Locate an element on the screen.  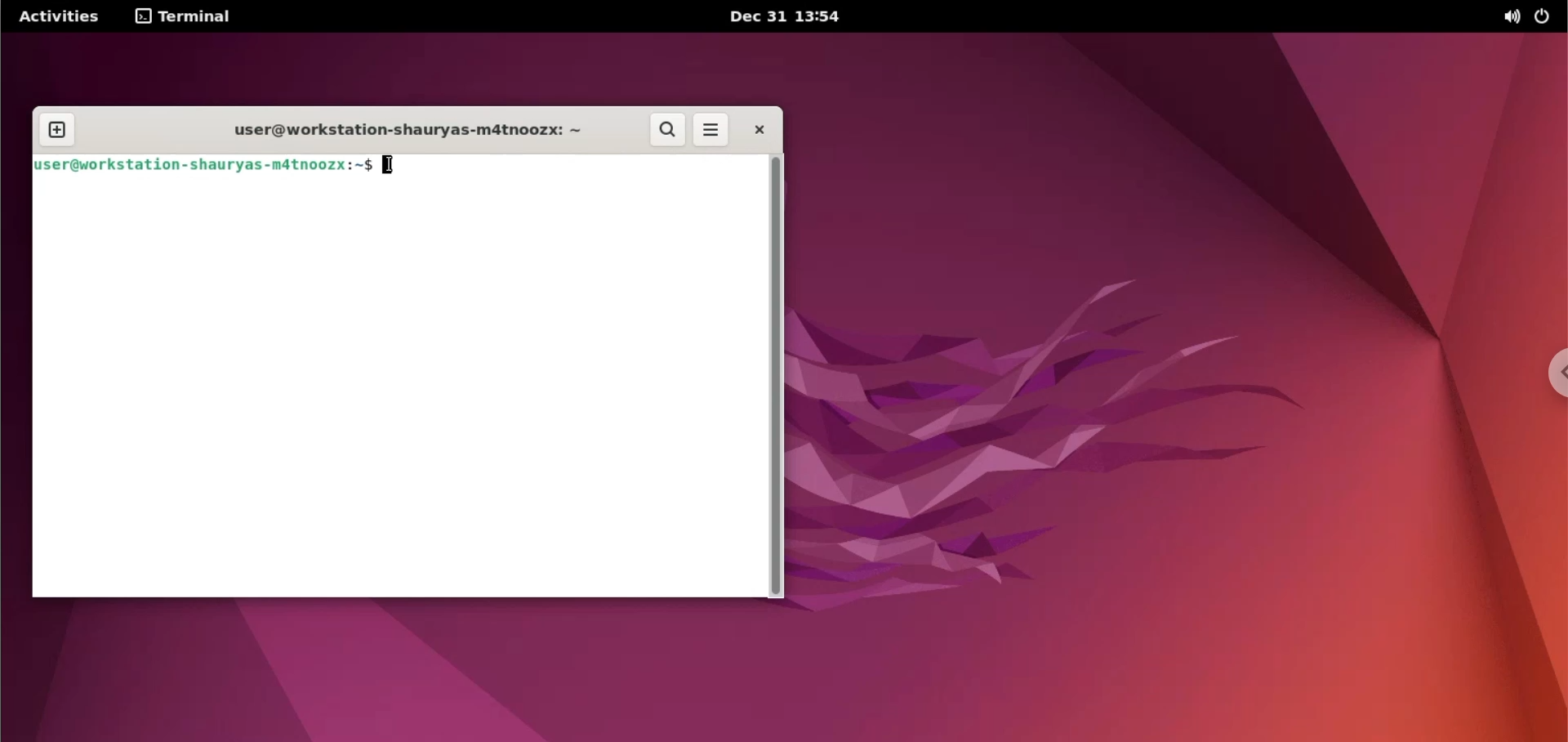
user@workstation-shauryas-m4tnoozx: ~ is located at coordinates (409, 134).